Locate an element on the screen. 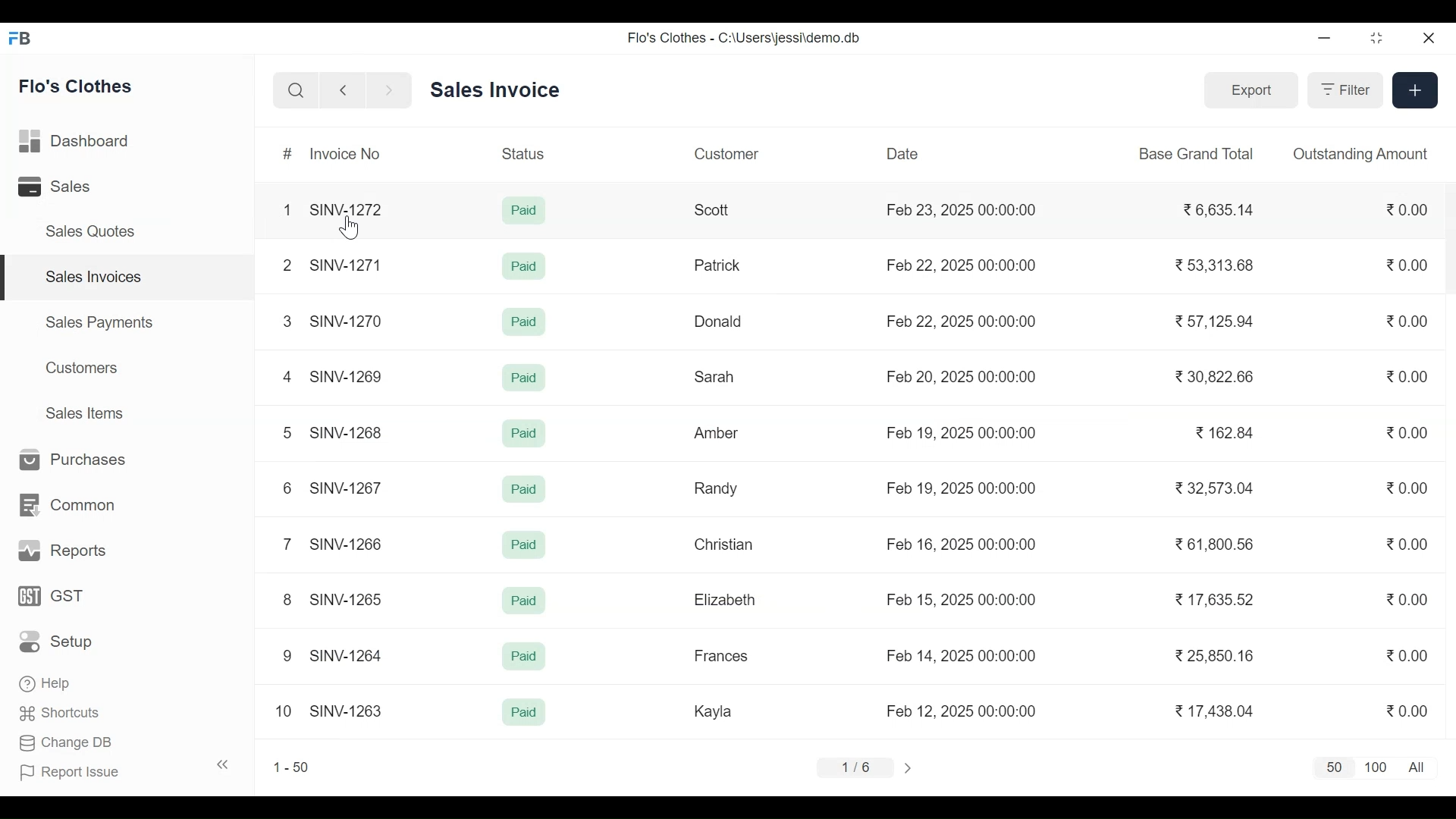 This screenshot has height=819, width=1456. 17,635.52 is located at coordinates (1220, 598).